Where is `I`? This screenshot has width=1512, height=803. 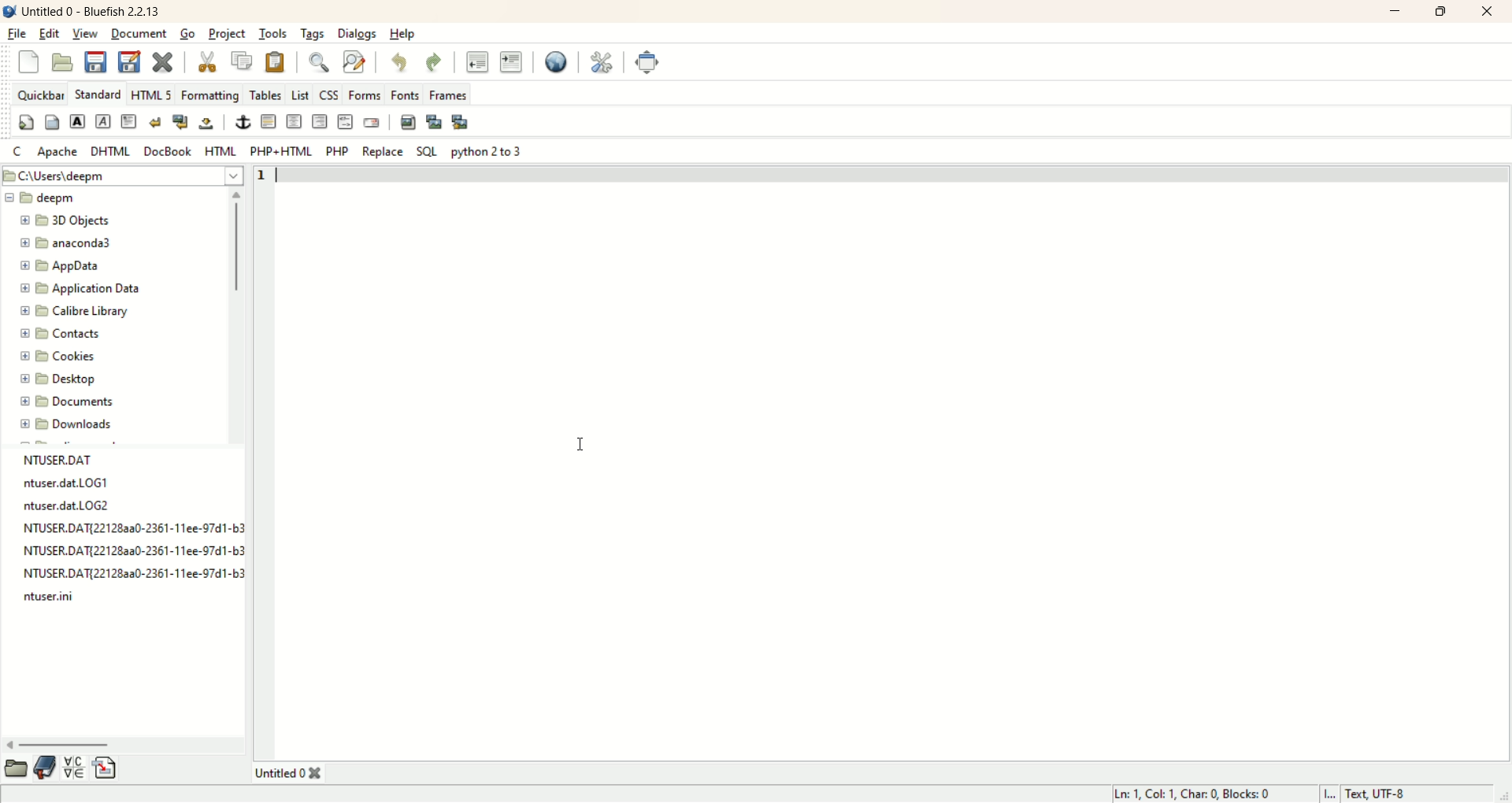
I is located at coordinates (1333, 794).